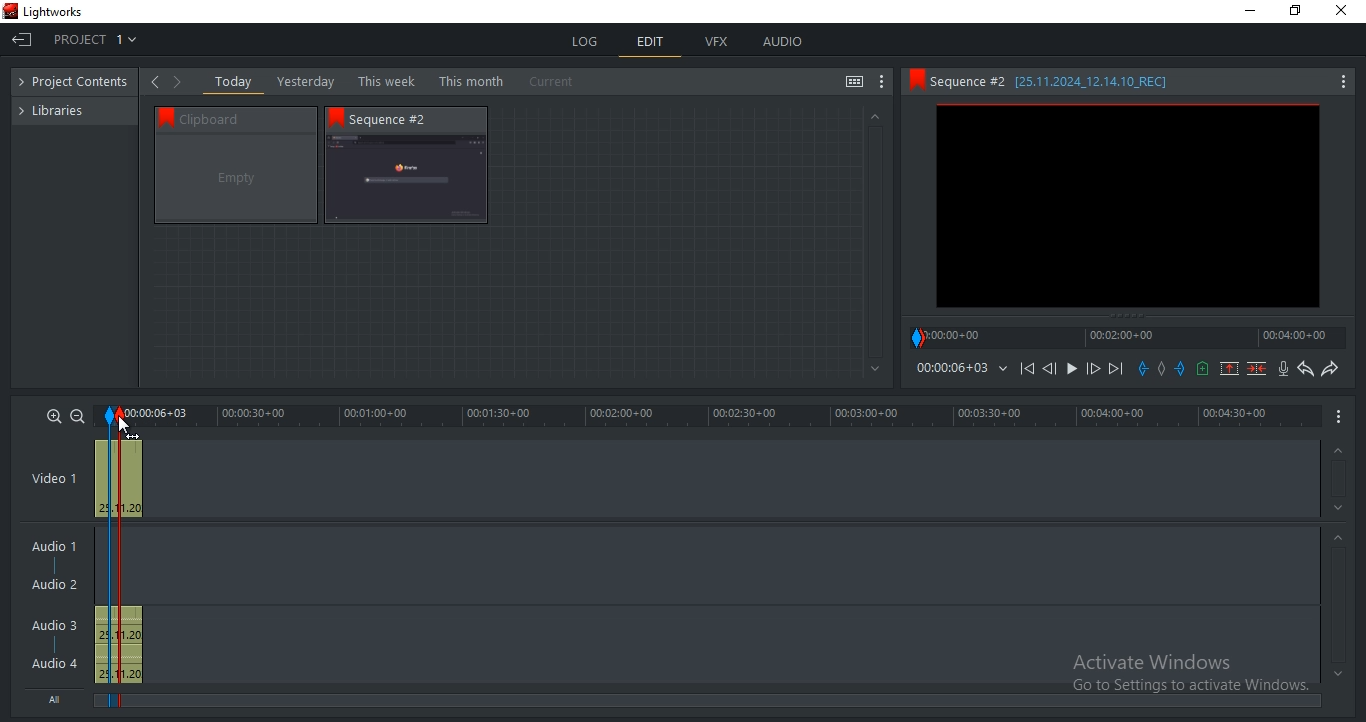  I want to click on Nudge one frame forward, so click(1091, 369).